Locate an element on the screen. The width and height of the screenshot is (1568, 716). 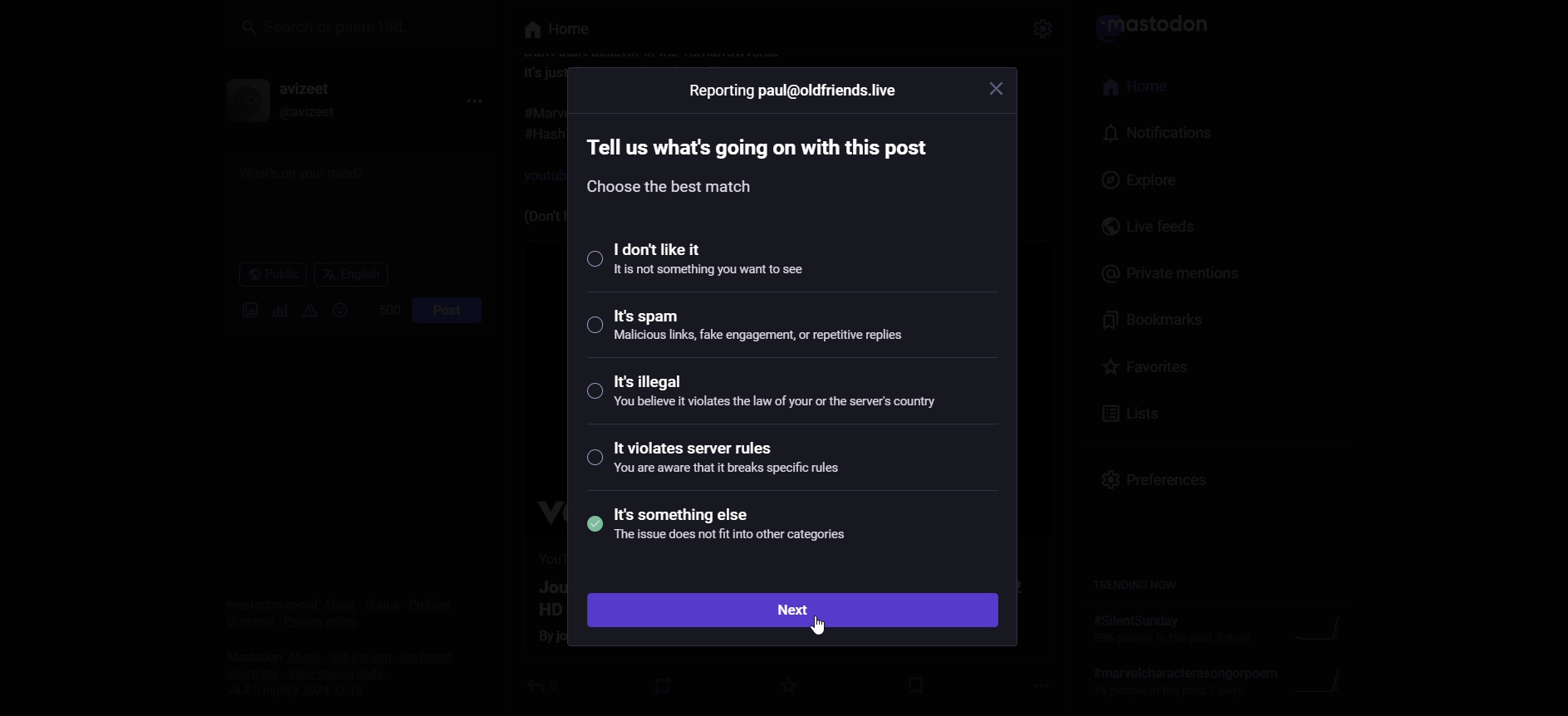
next is located at coordinates (796, 611).